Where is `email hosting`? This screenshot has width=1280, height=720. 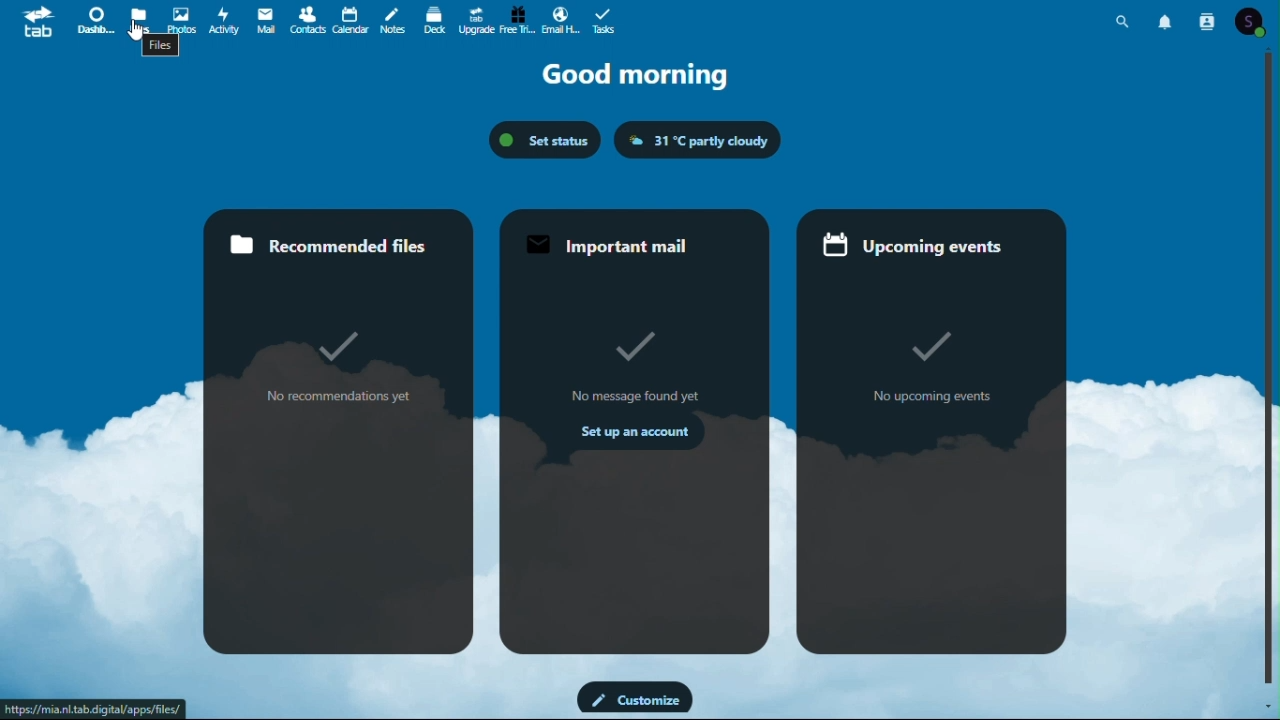
email hosting is located at coordinates (559, 20).